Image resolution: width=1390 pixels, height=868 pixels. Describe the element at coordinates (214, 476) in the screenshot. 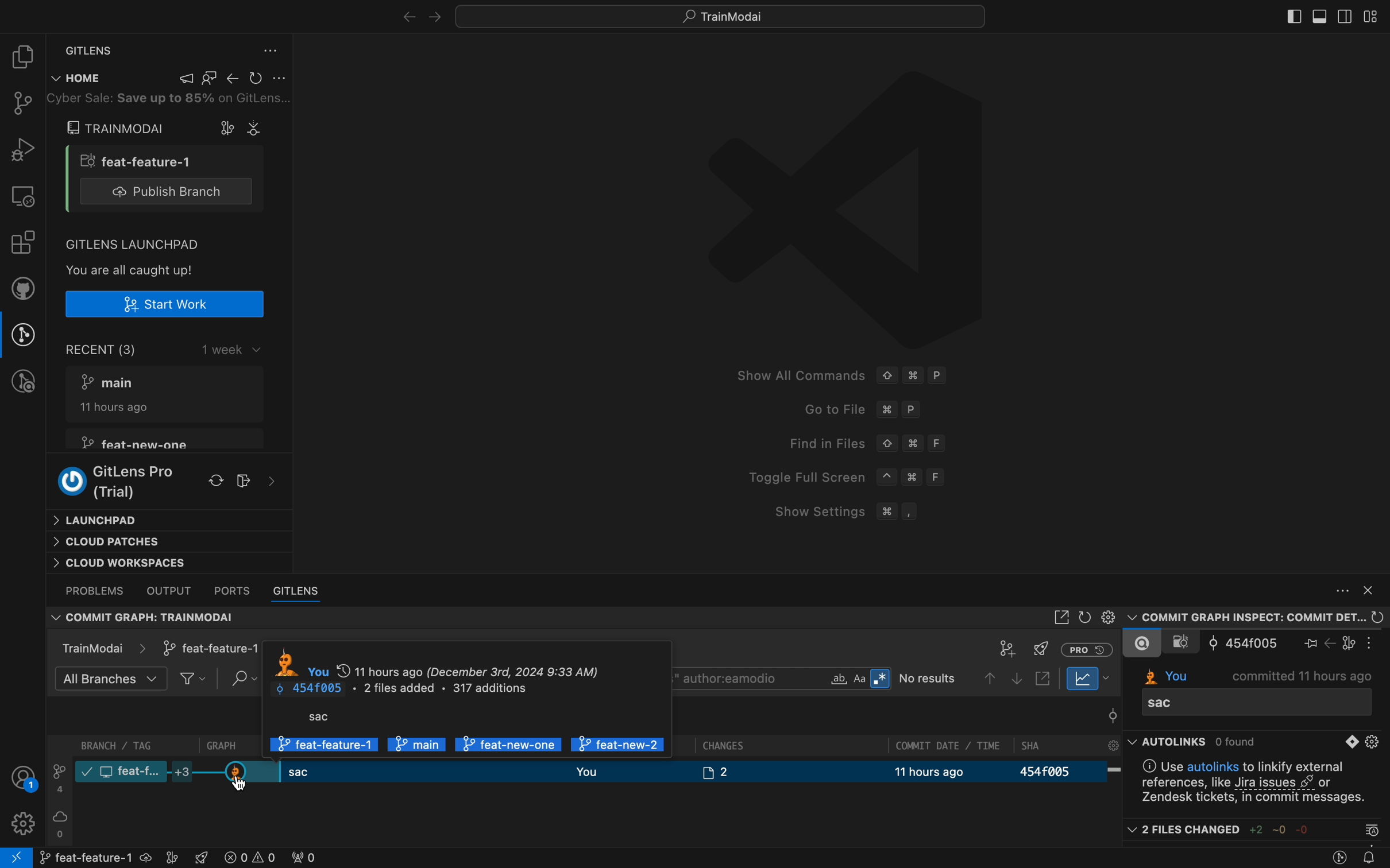

I see `refresh` at that location.